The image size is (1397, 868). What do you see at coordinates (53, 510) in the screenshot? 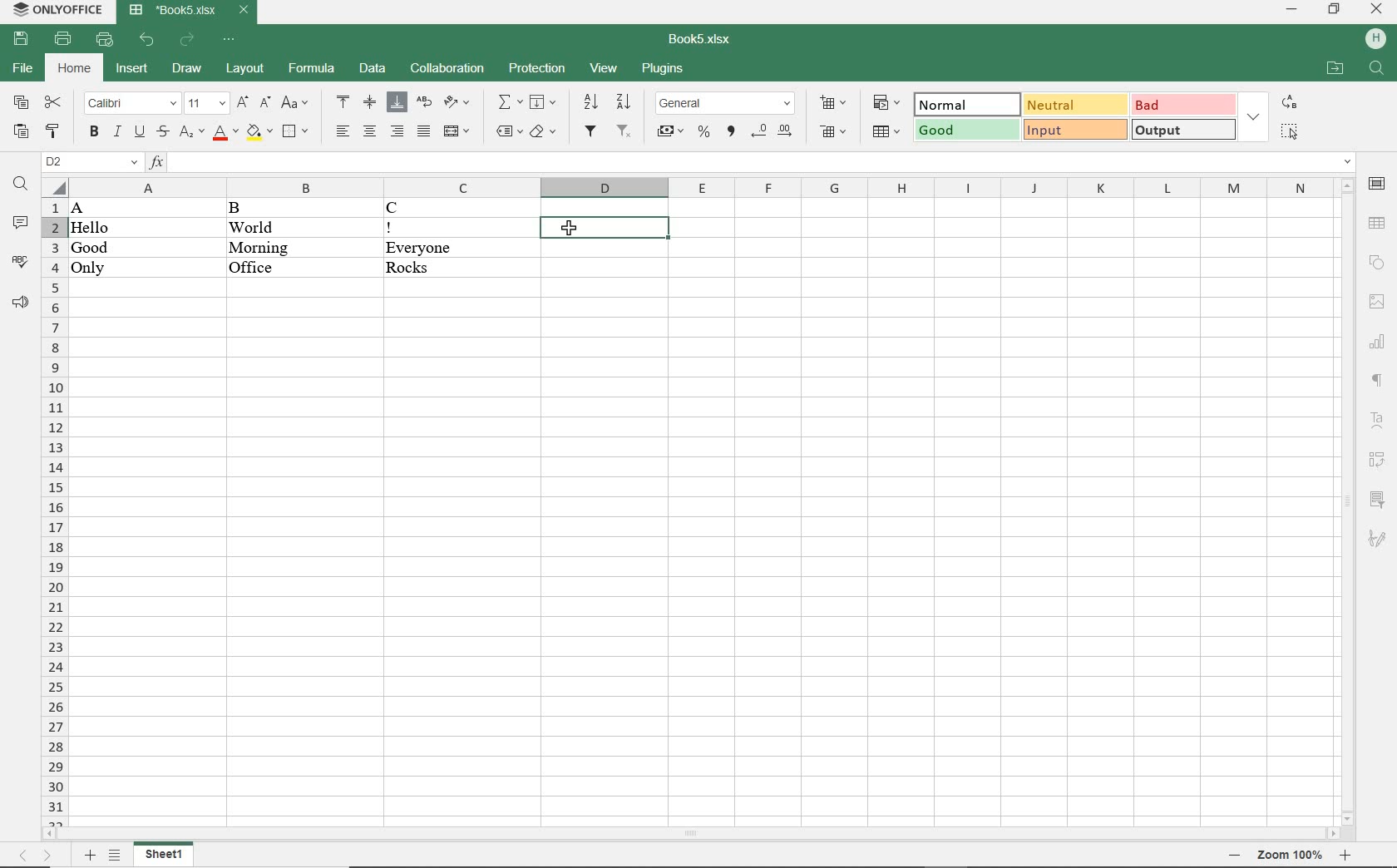
I see `ROWS` at bounding box center [53, 510].